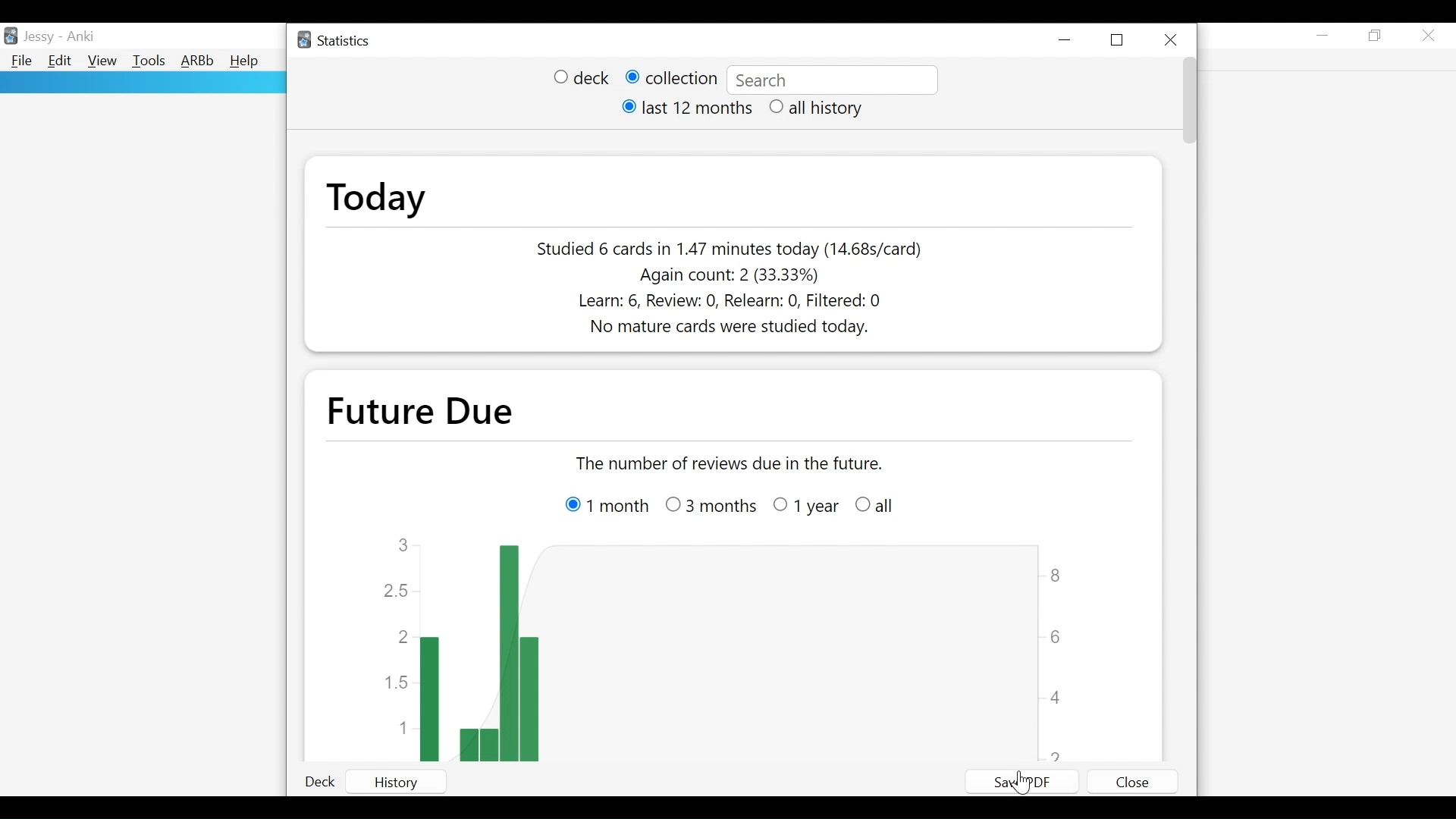 The image size is (1456, 819). What do you see at coordinates (723, 303) in the screenshot?
I see `Learn count, Review count, Relearn count, Filtered count` at bounding box center [723, 303].